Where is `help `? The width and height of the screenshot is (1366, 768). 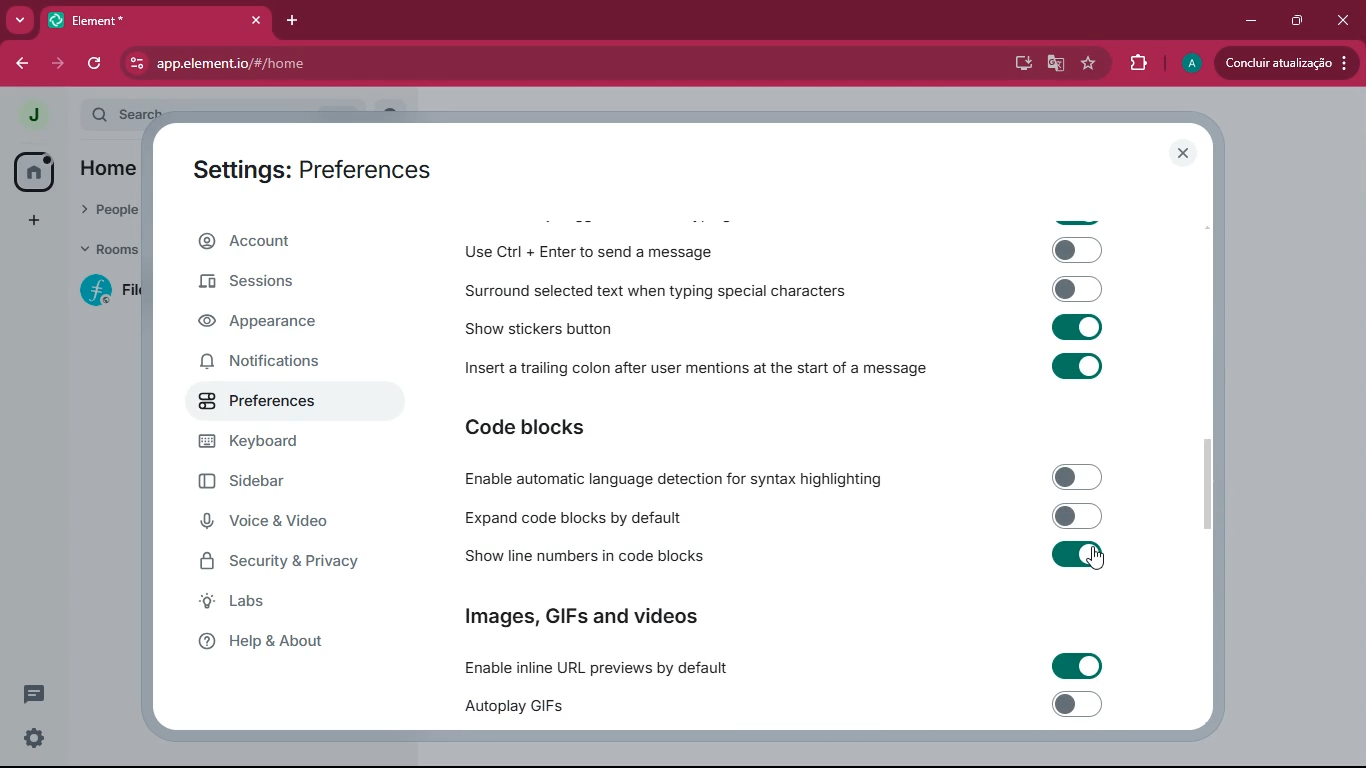 help  is located at coordinates (283, 642).